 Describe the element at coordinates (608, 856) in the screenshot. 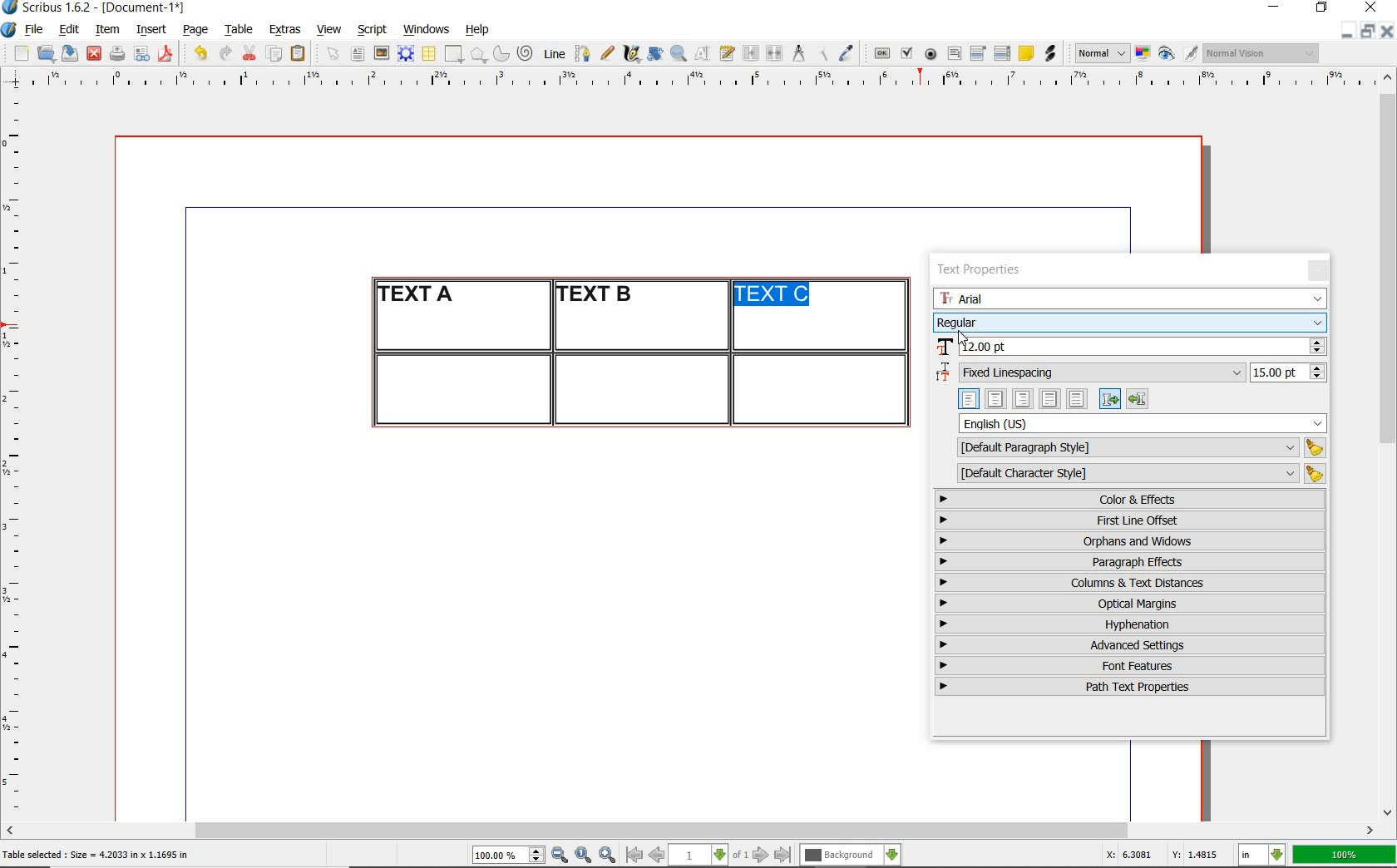

I see `zoom in` at that location.